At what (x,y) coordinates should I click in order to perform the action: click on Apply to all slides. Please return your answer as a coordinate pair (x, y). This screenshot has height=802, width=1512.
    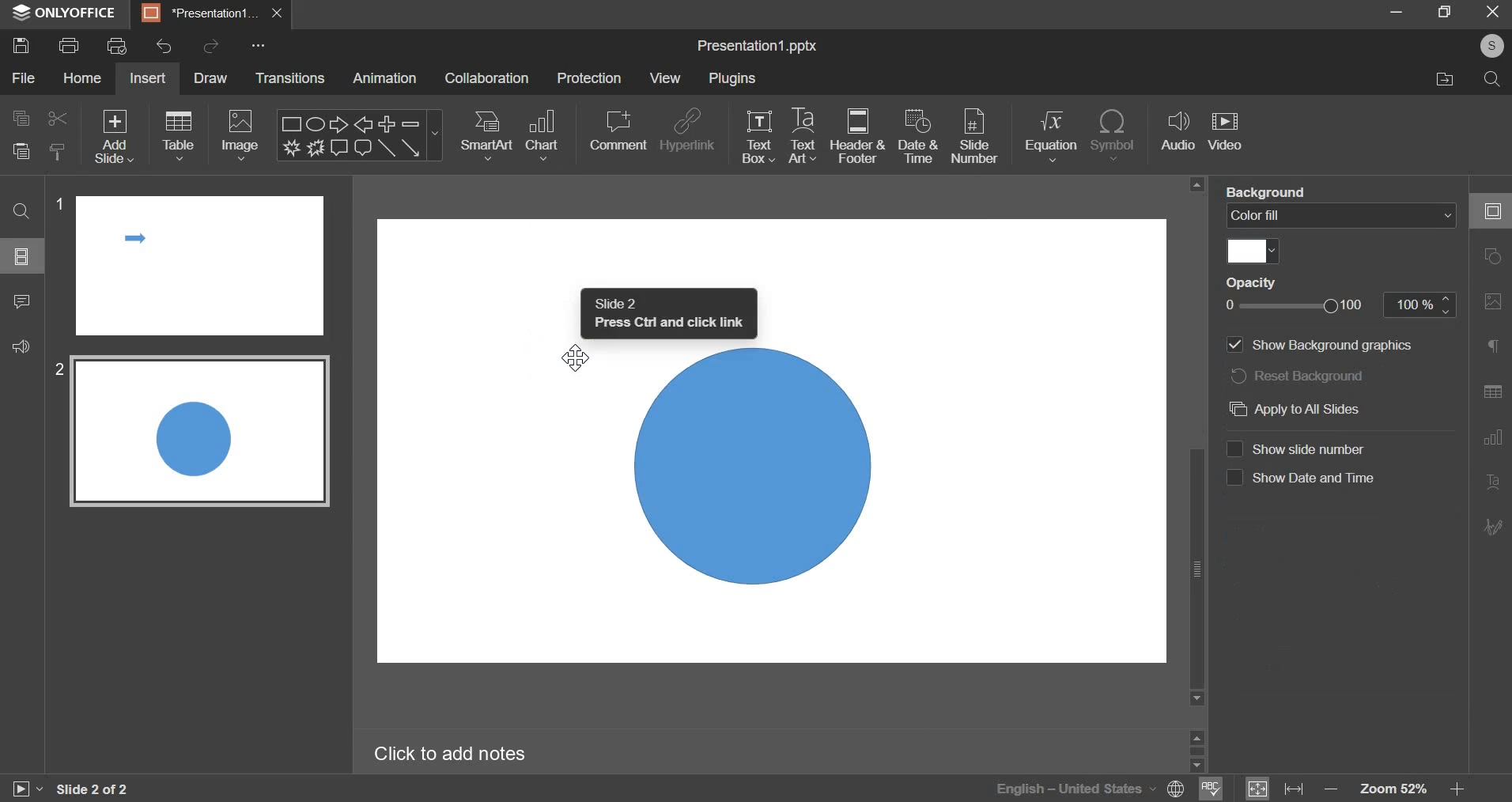
    Looking at the image, I should click on (1294, 414).